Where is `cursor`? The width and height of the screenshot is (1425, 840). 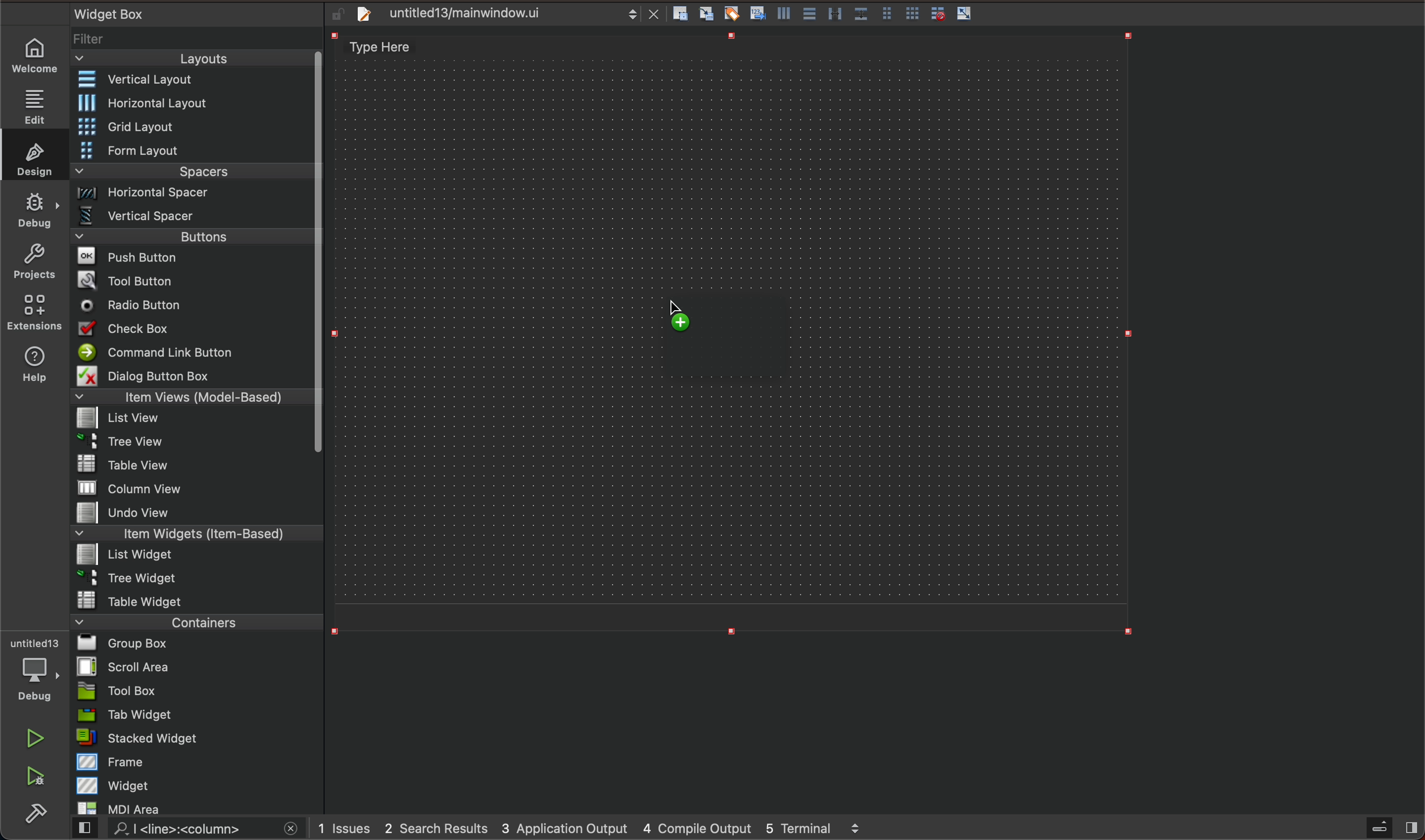 cursor is located at coordinates (687, 309).